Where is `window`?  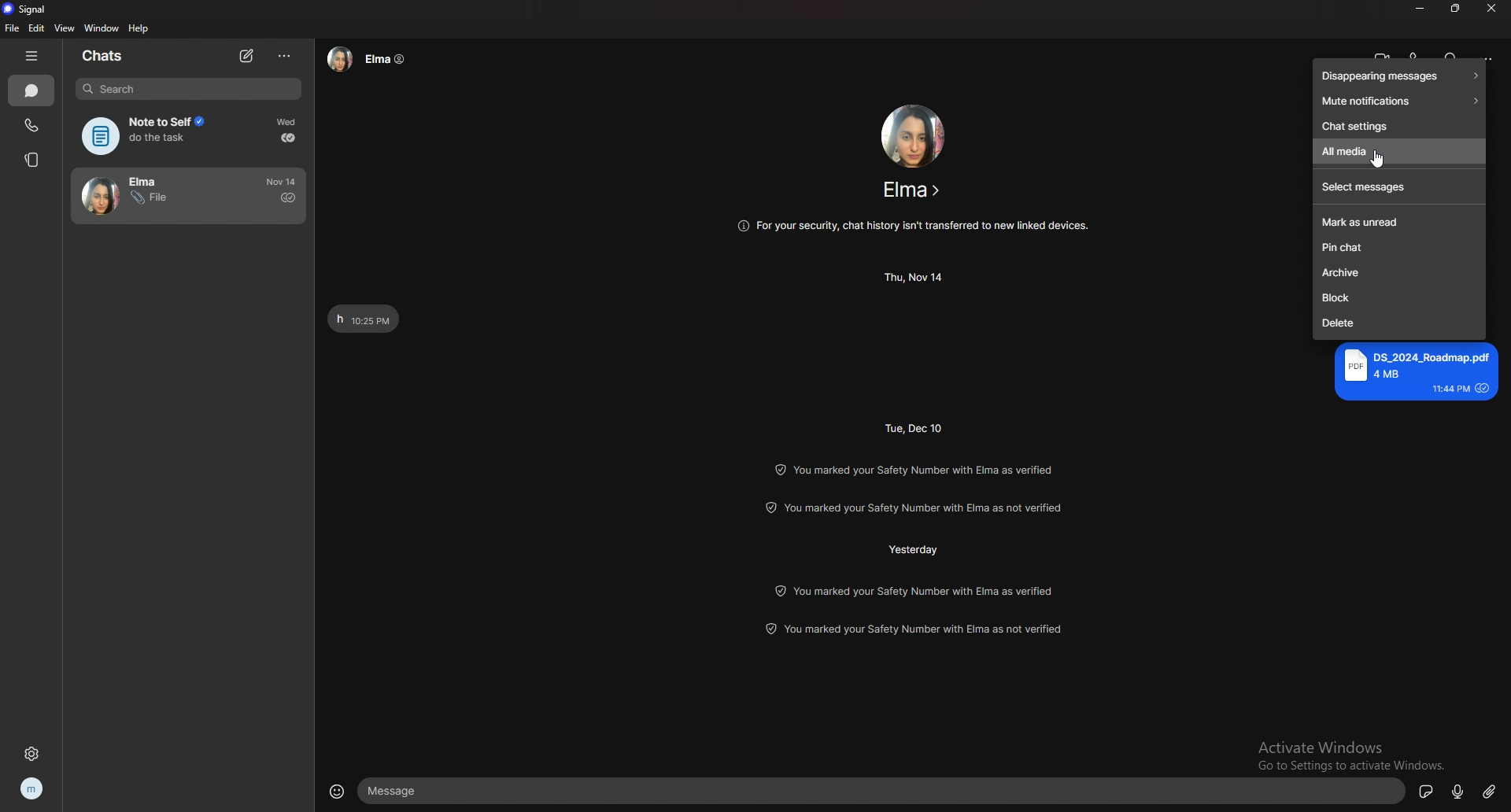 window is located at coordinates (101, 28).